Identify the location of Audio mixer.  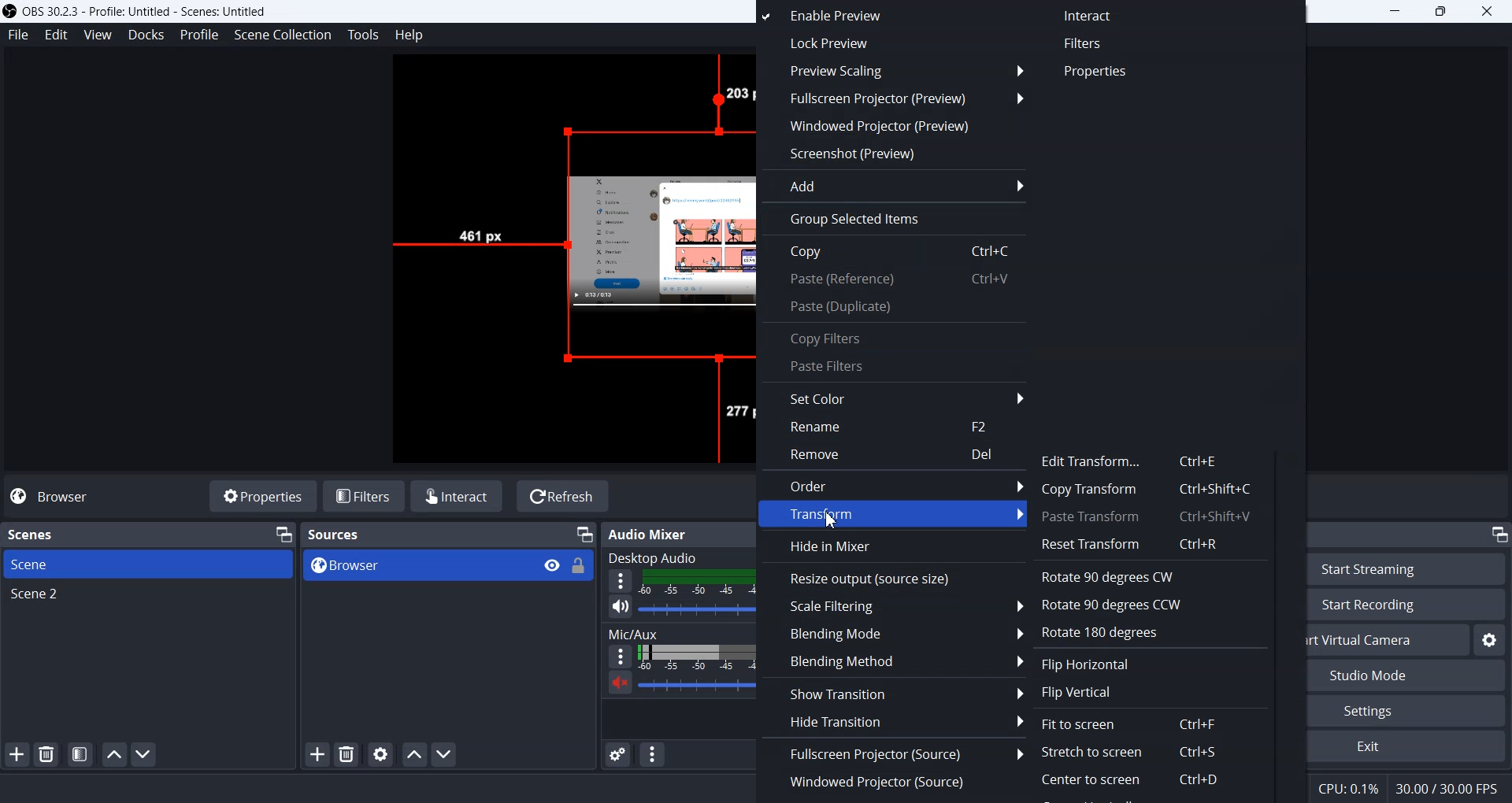
(687, 532).